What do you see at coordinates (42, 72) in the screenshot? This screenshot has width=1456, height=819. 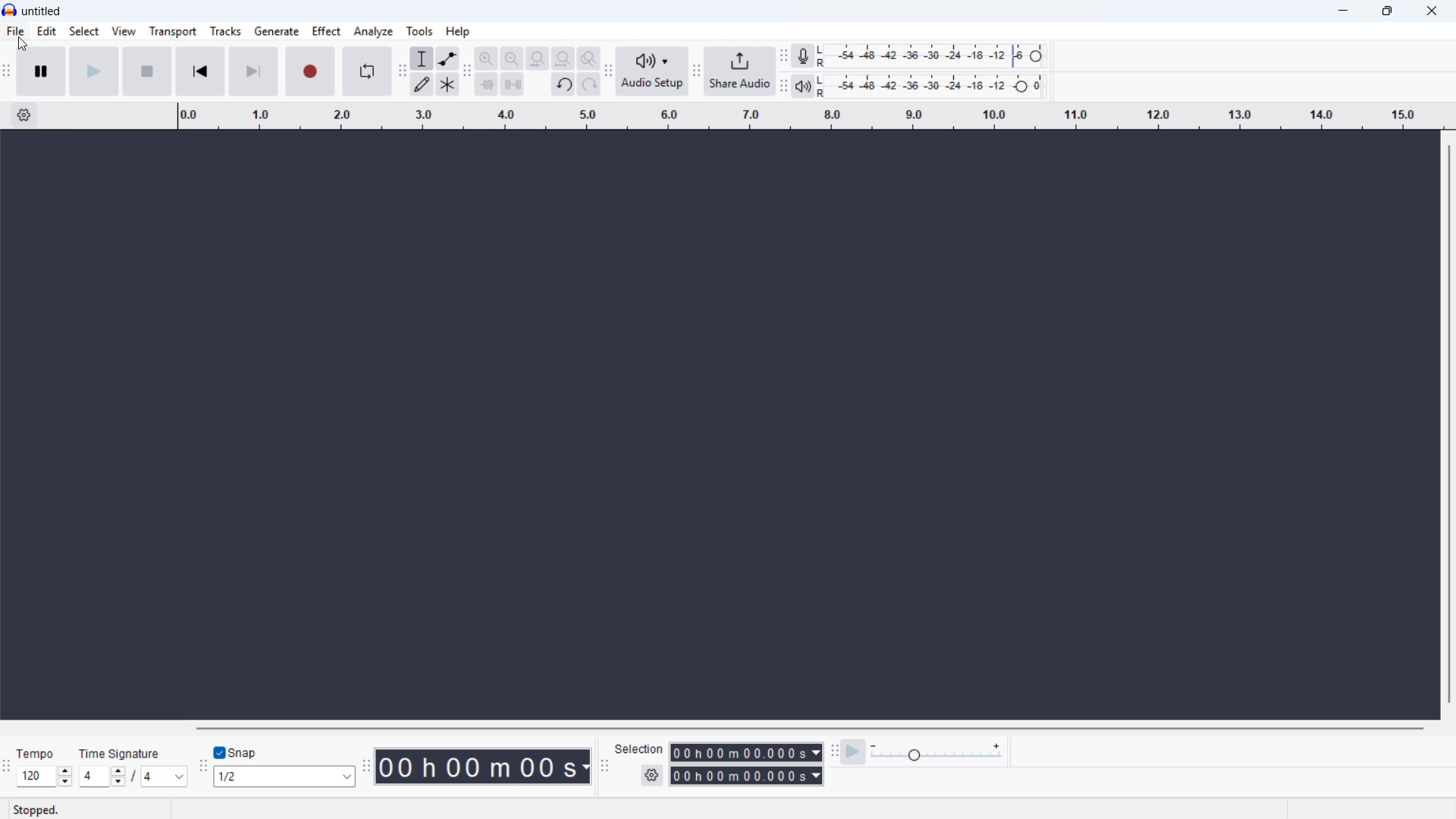 I see `Pause ` at bounding box center [42, 72].